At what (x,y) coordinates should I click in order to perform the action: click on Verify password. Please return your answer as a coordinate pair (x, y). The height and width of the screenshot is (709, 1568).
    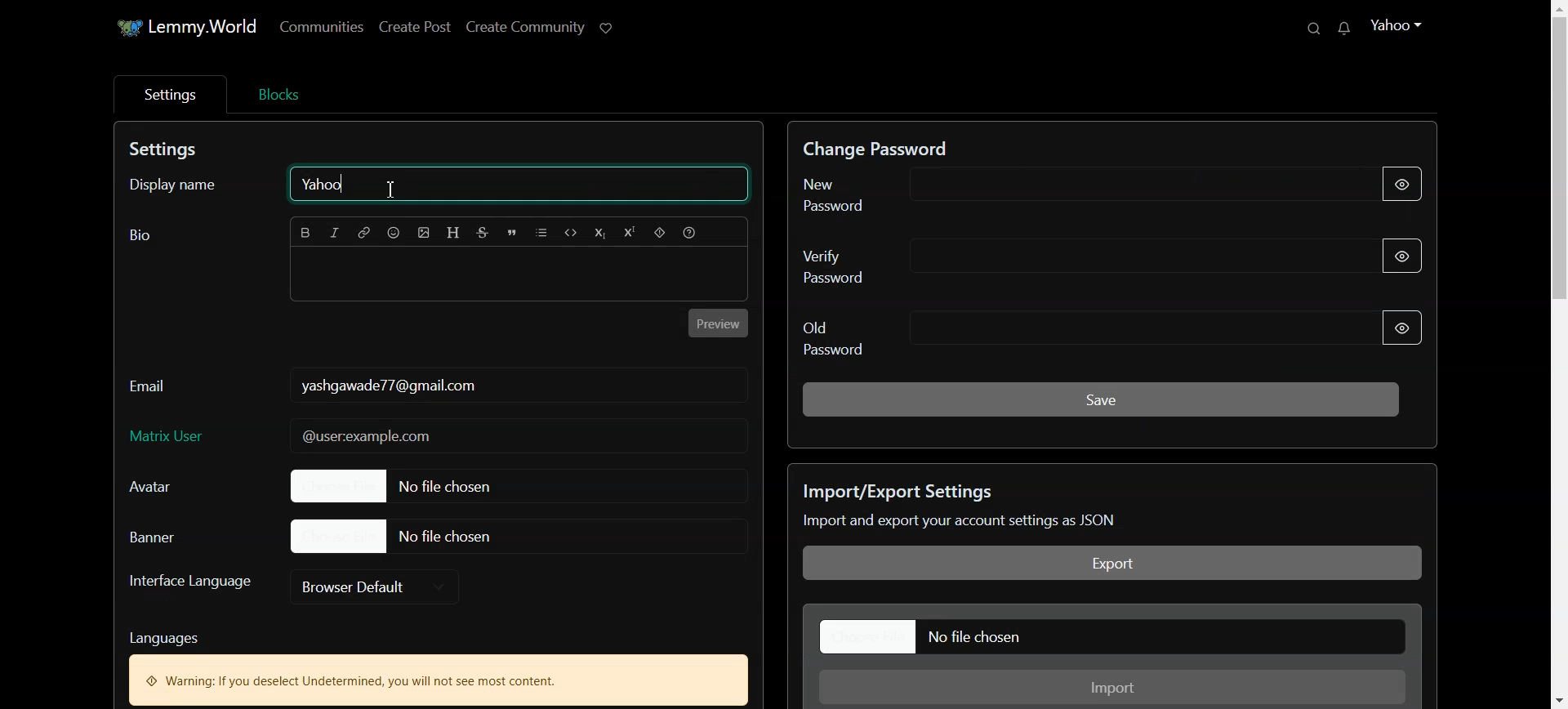
    Looking at the image, I should click on (1049, 262).